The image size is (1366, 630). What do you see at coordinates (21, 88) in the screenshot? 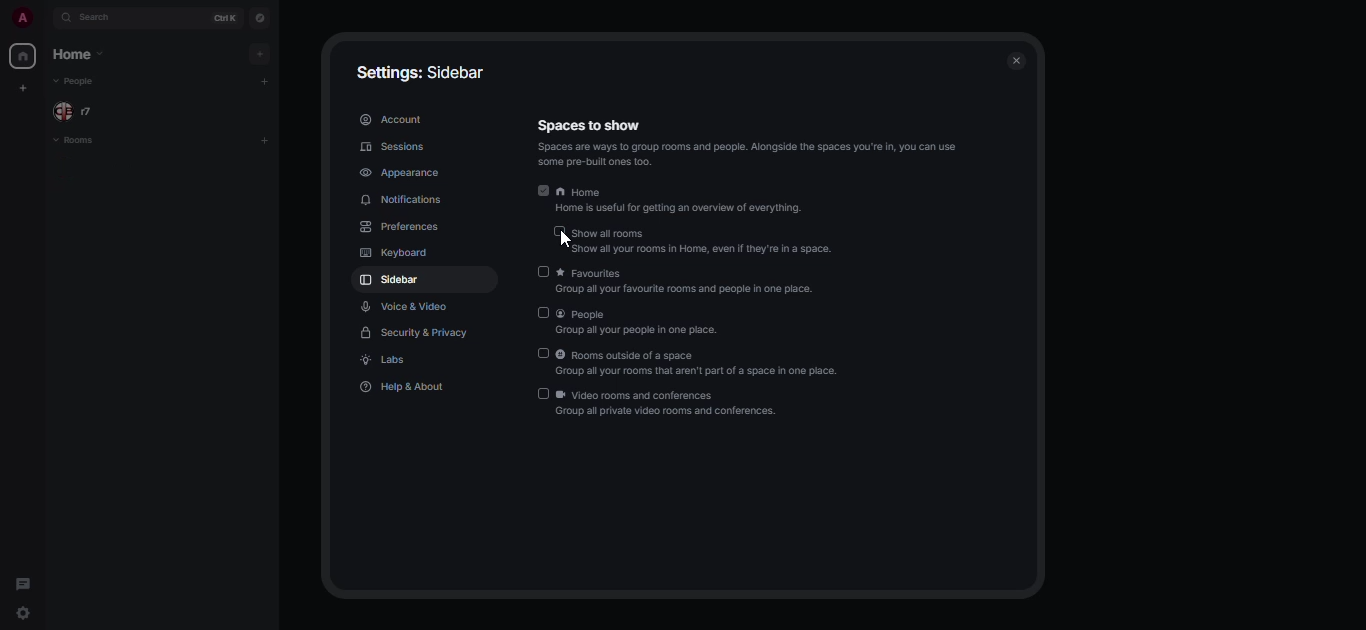
I see `create space` at bounding box center [21, 88].